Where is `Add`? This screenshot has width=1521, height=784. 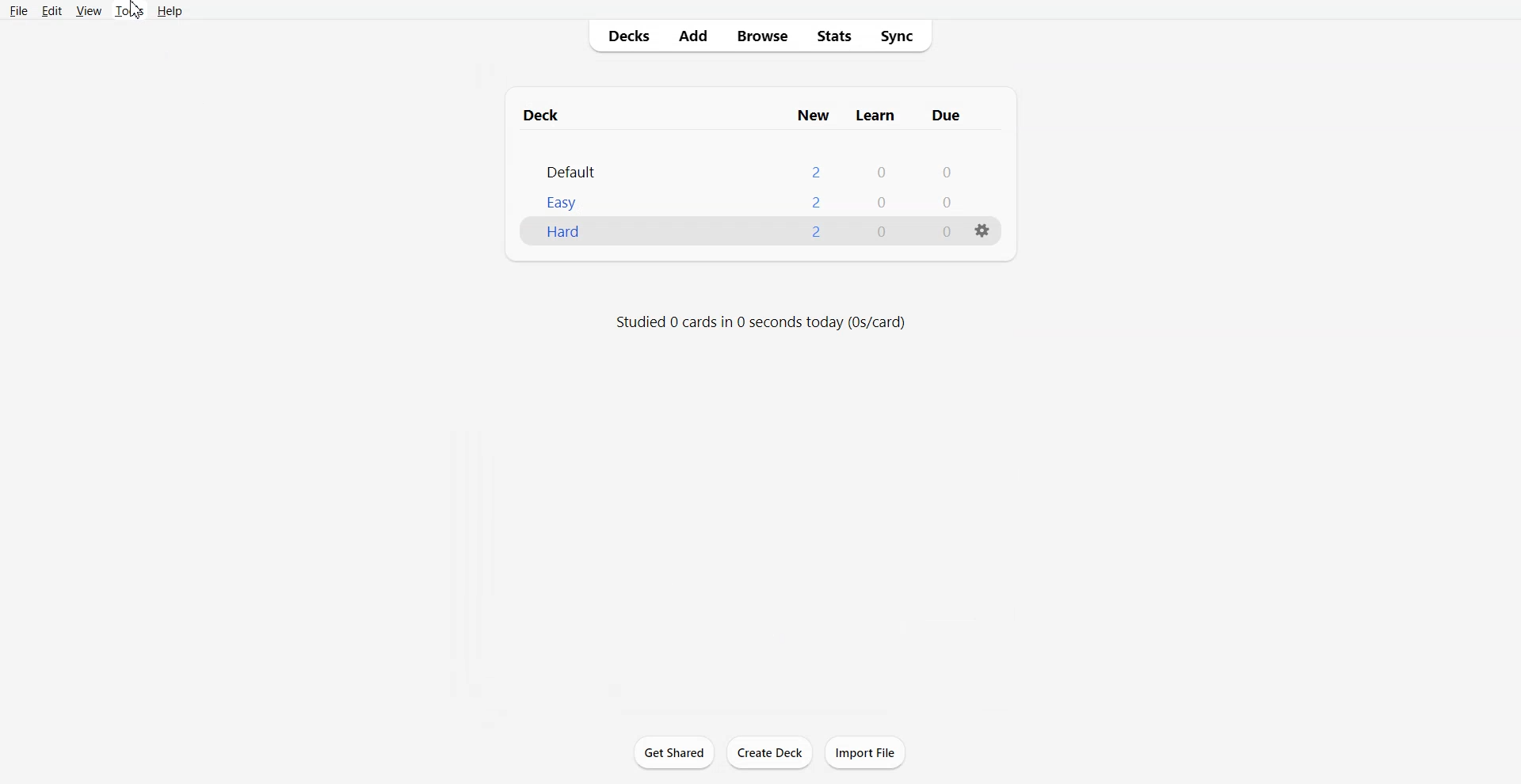 Add is located at coordinates (692, 36).